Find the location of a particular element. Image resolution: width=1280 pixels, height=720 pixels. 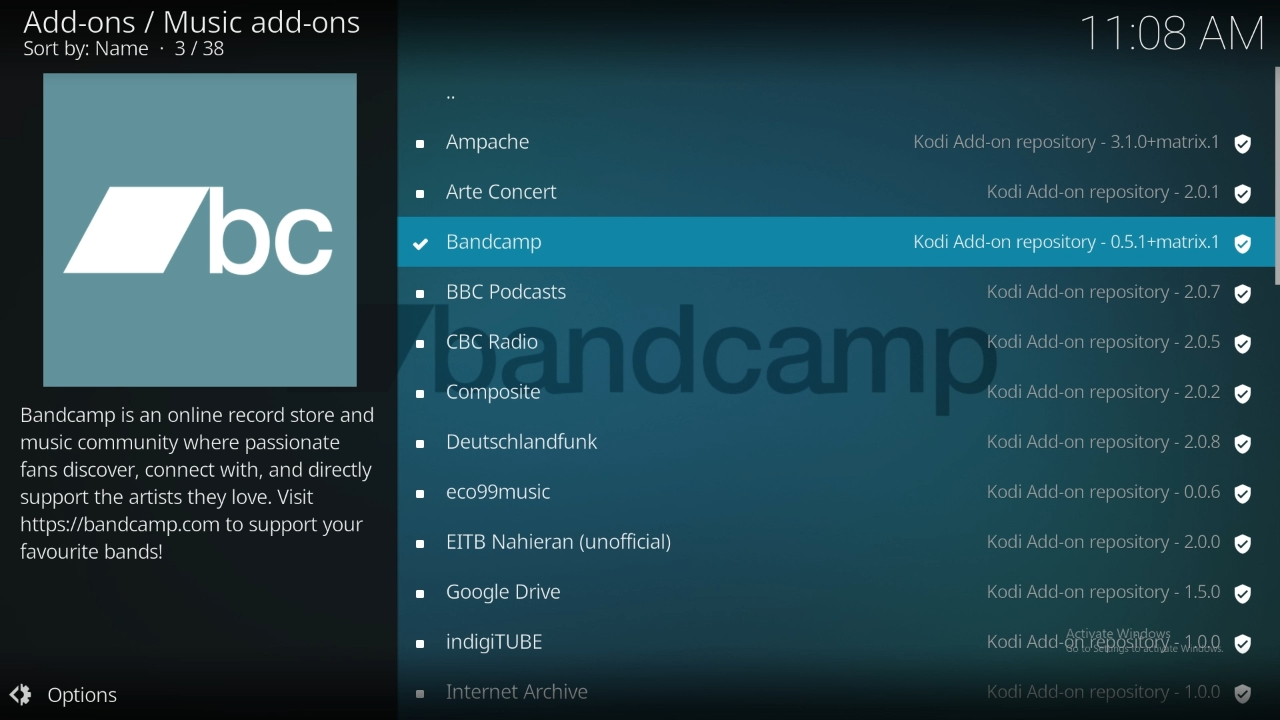

go back is located at coordinates (838, 100).